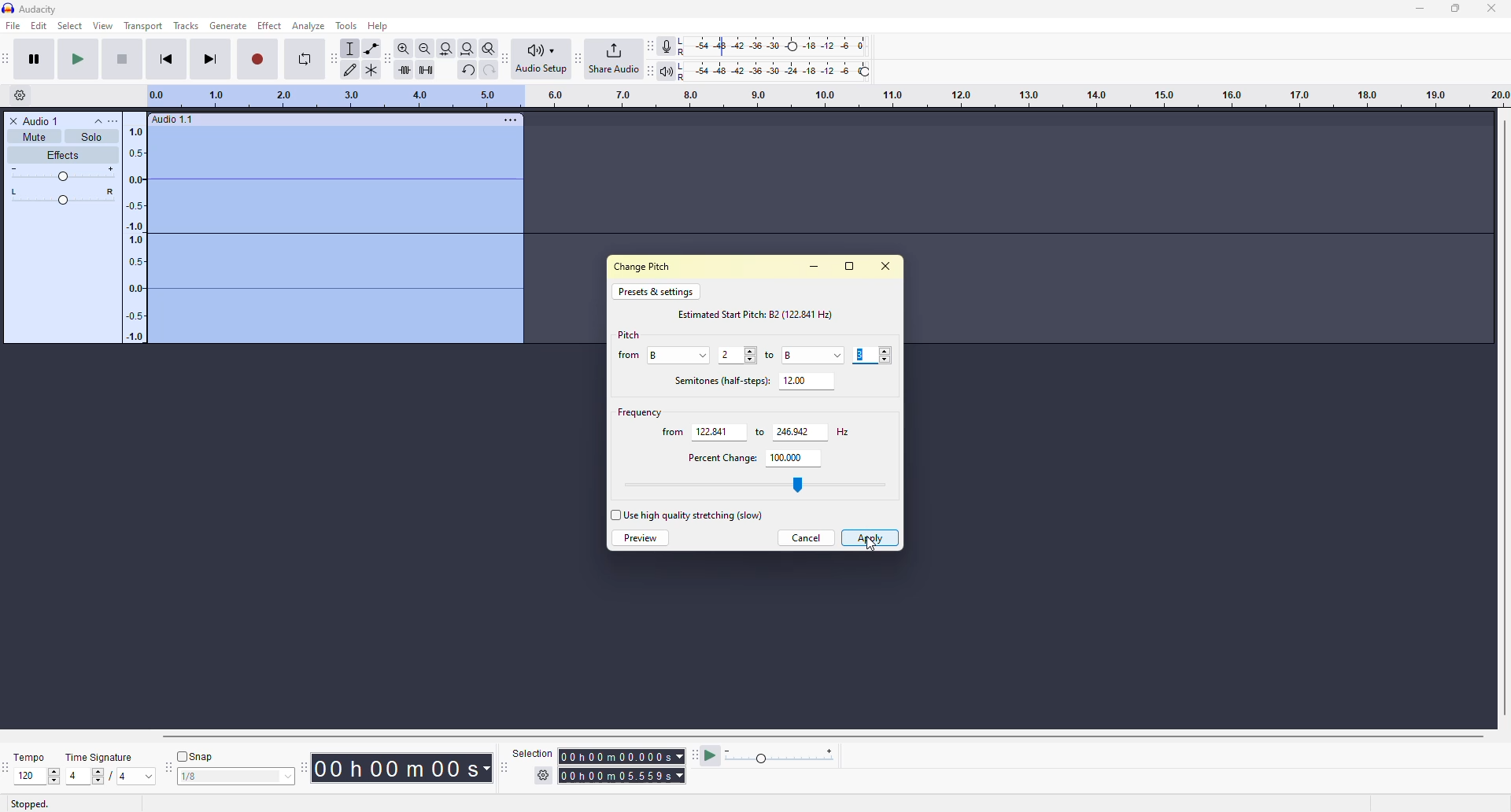 This screenshot has width=1511, height=812. Describe the element at coordinates (13, 26) in the screenshot. I see `file` at that location.